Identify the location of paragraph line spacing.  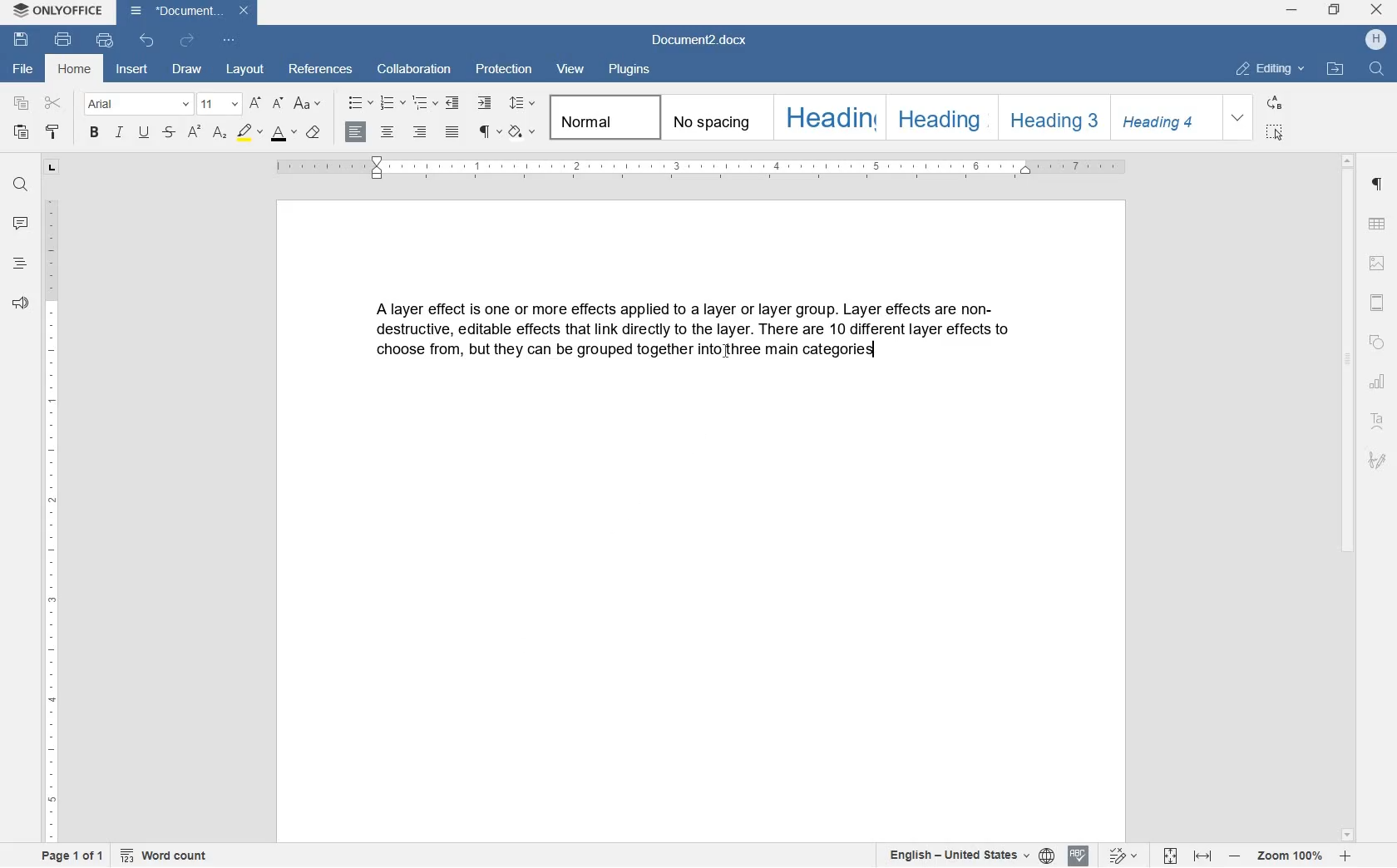
(524, 106).